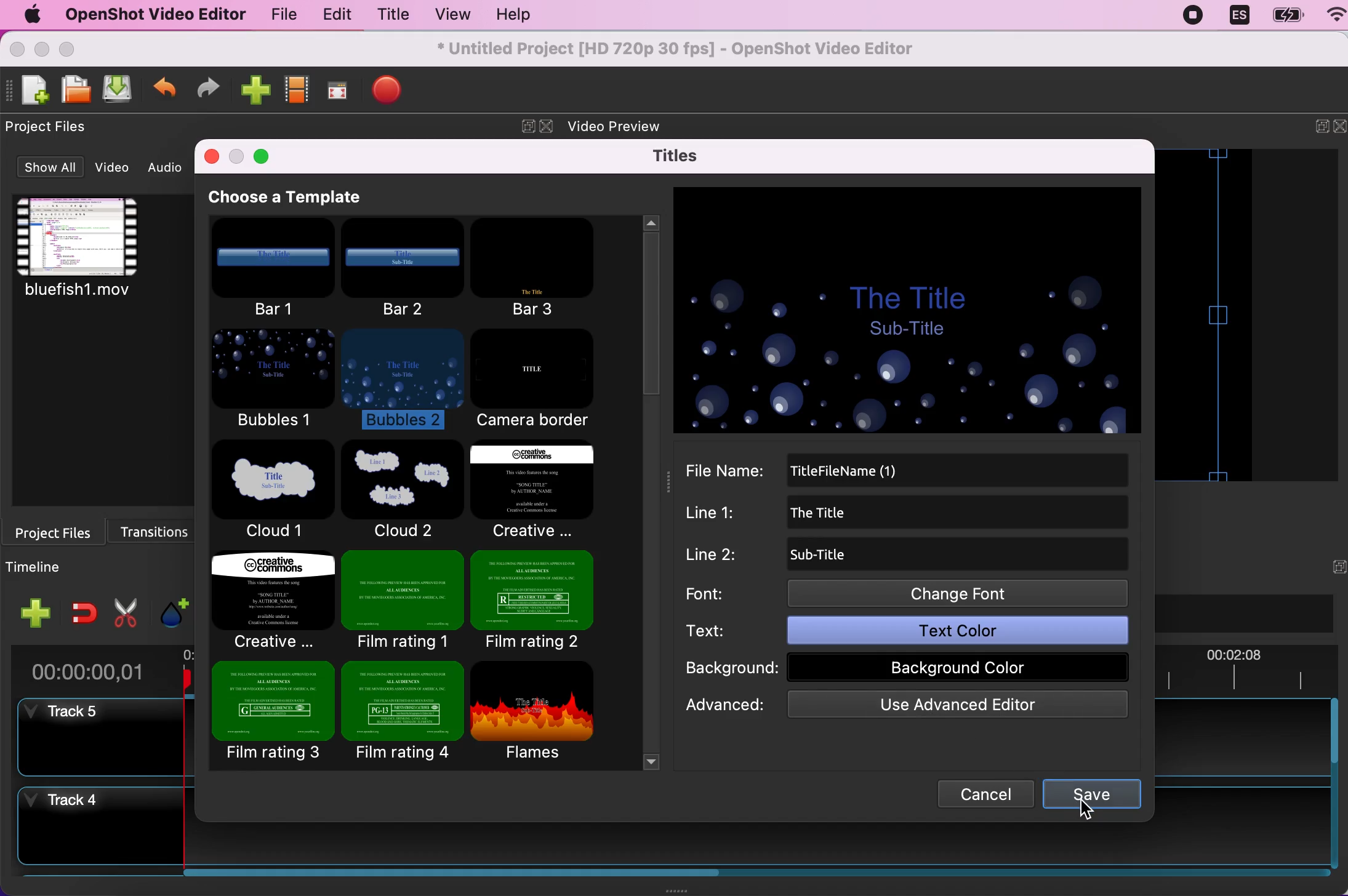 This screenshot has width=1348, height=896. Describe the element at coordinates (401, 599) in the screenshot. I see `film rating 1` at that location.